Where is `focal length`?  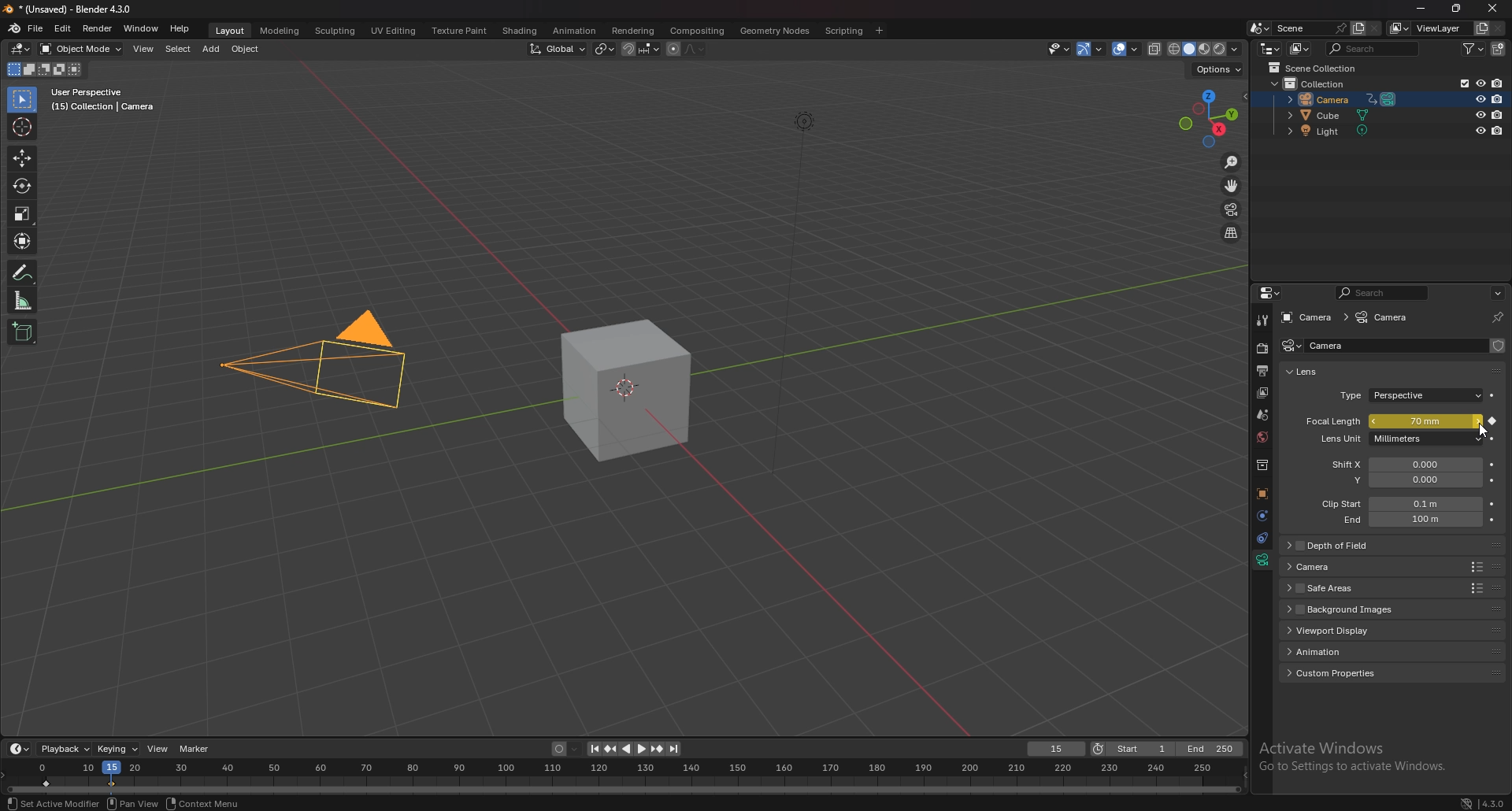 focal length is located at coordinates (1389, 421).